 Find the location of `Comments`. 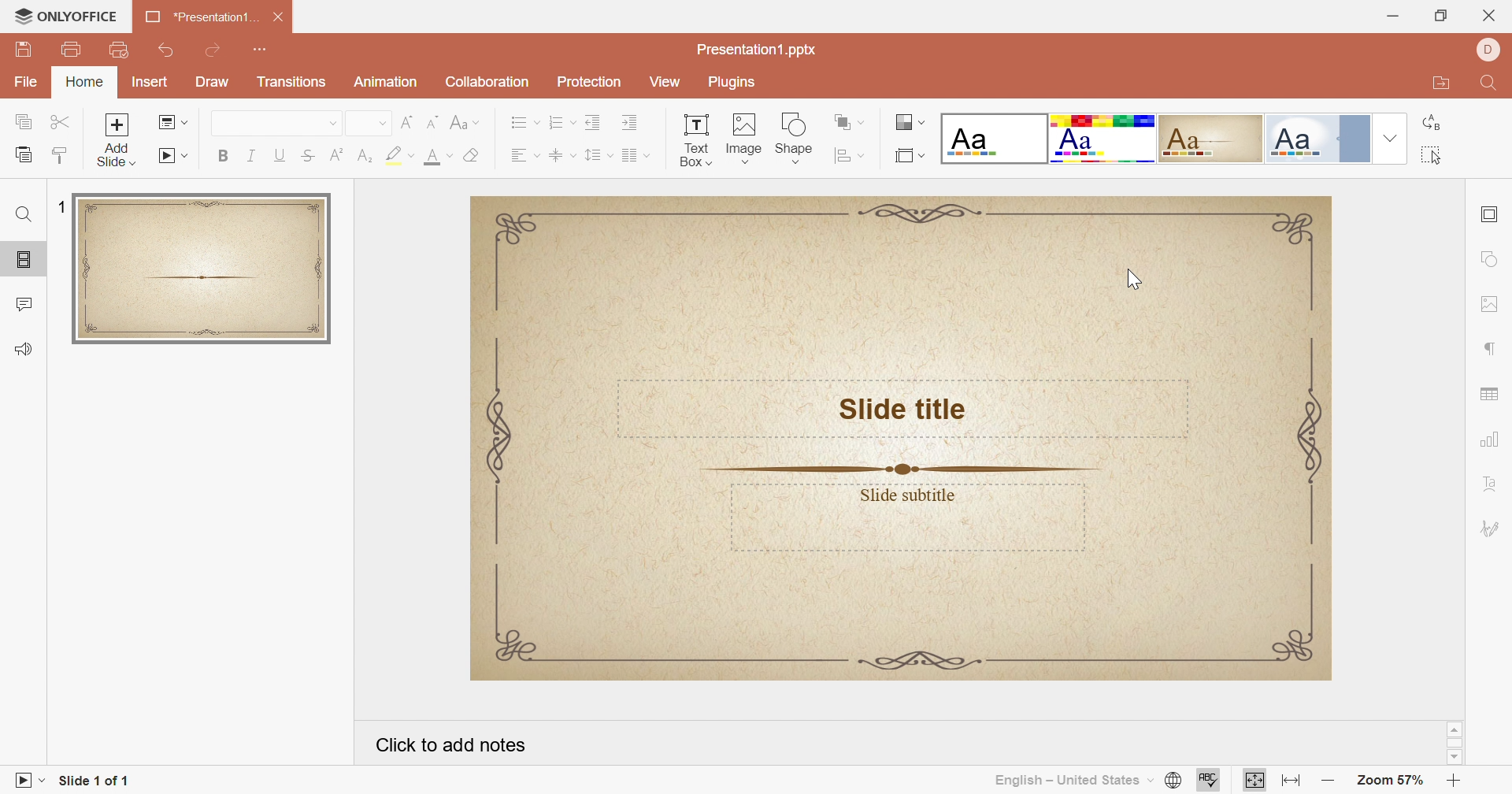

Comments is located at coordinates (26, 302).